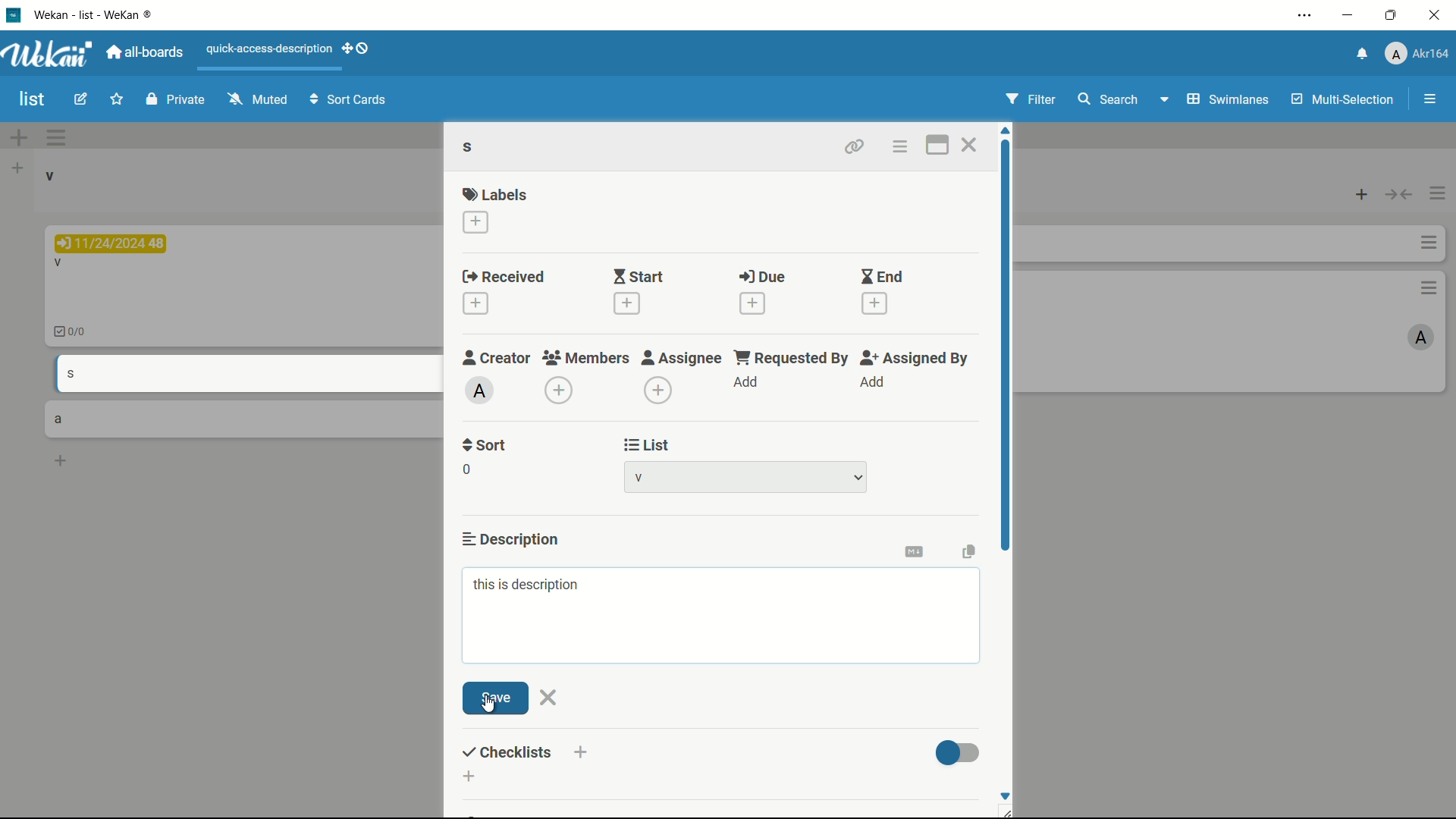 The width and height of the screenshot is (1456, 819). I want to click on dropdown, so click(858, 477).